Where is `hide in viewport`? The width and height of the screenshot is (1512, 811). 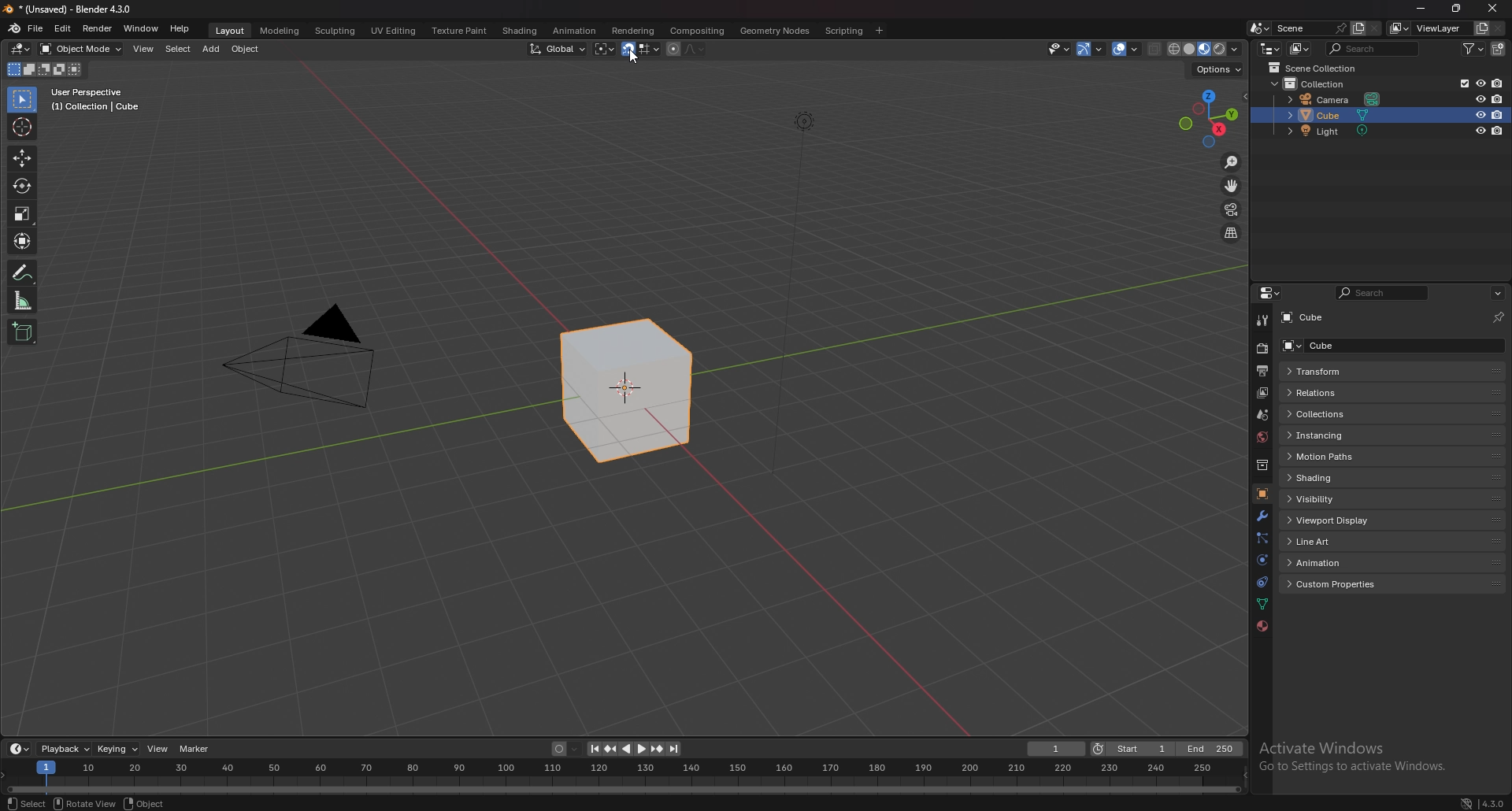 hide in viewport is located at coordinates (1480, 114).